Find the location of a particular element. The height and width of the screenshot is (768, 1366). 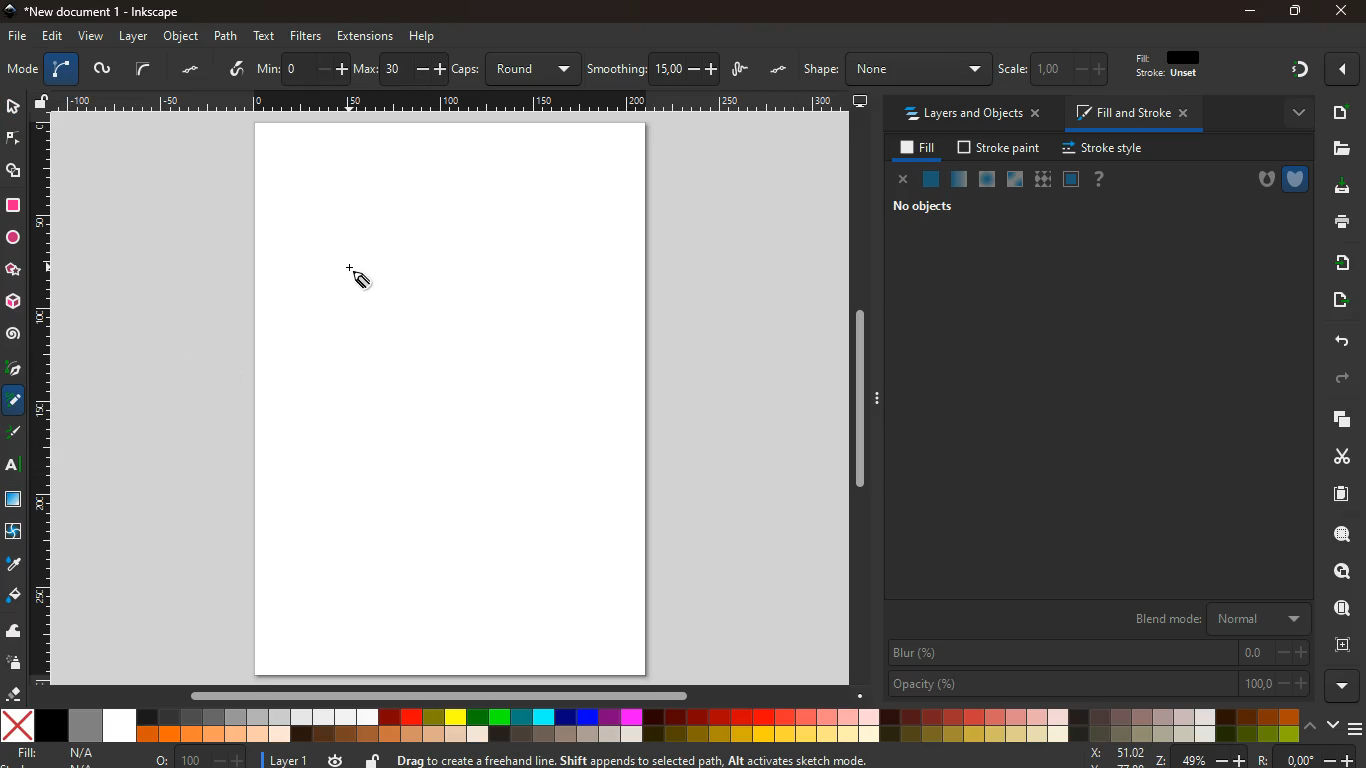

circle is located at coordinates (13, 238).